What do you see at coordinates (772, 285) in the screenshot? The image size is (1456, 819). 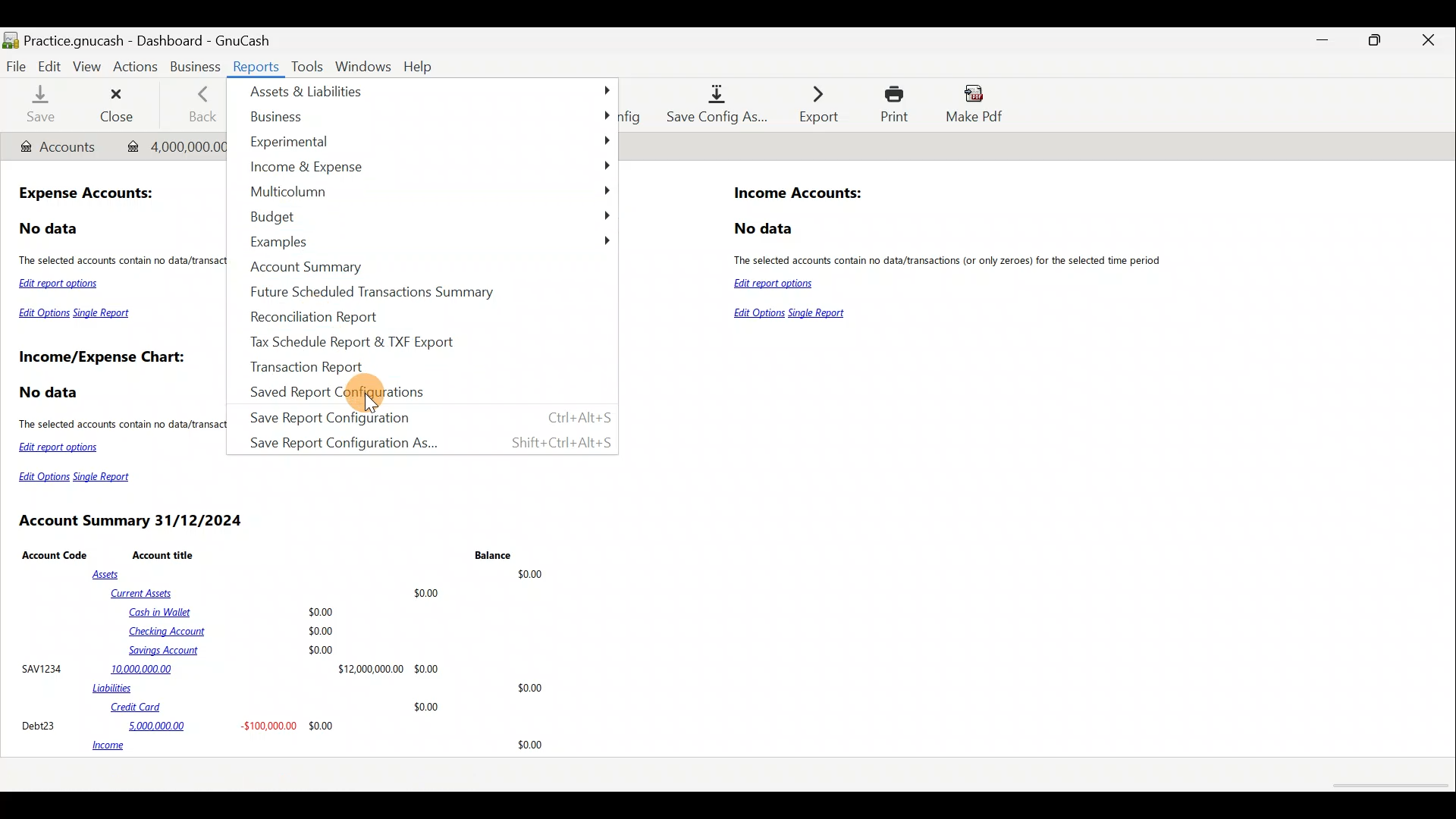 I see `Edit report options` at bounding box center [772, 285].